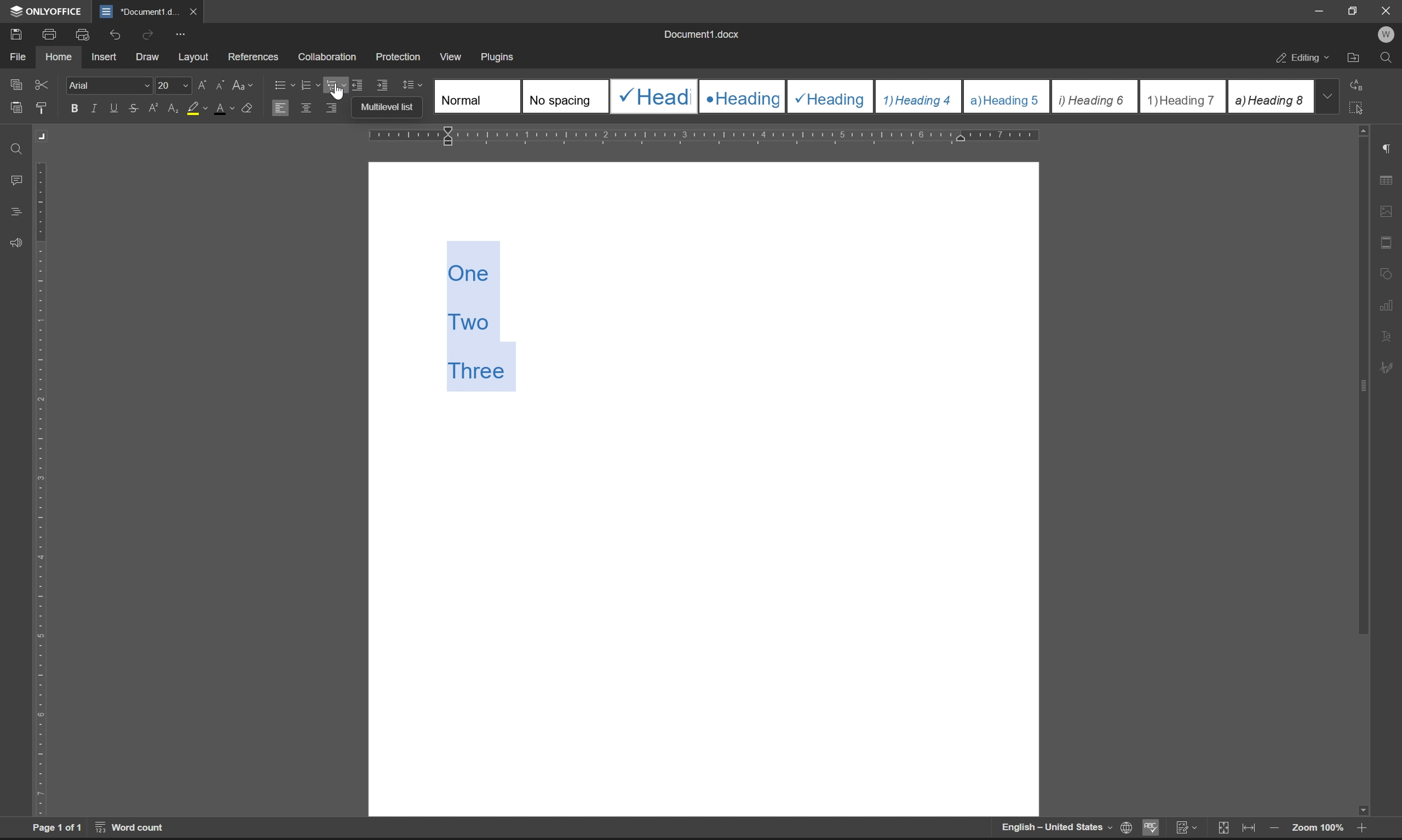  What do you see at coordinates (499, 58) in the screenshot?
I see `plugins` at bounding box center [499, 58].